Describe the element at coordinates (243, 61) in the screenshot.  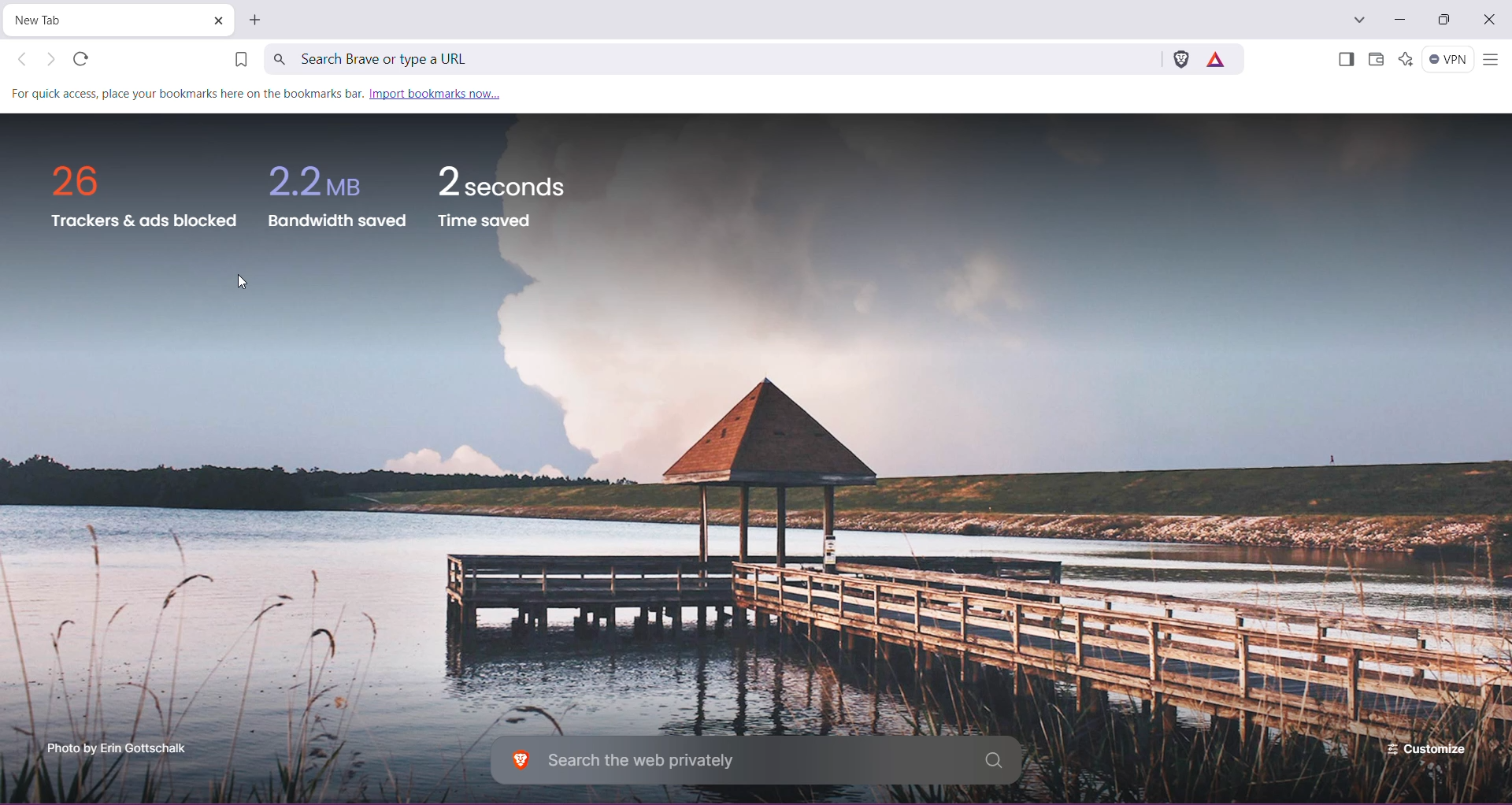
I see `Bookmark this Tab` at that location.